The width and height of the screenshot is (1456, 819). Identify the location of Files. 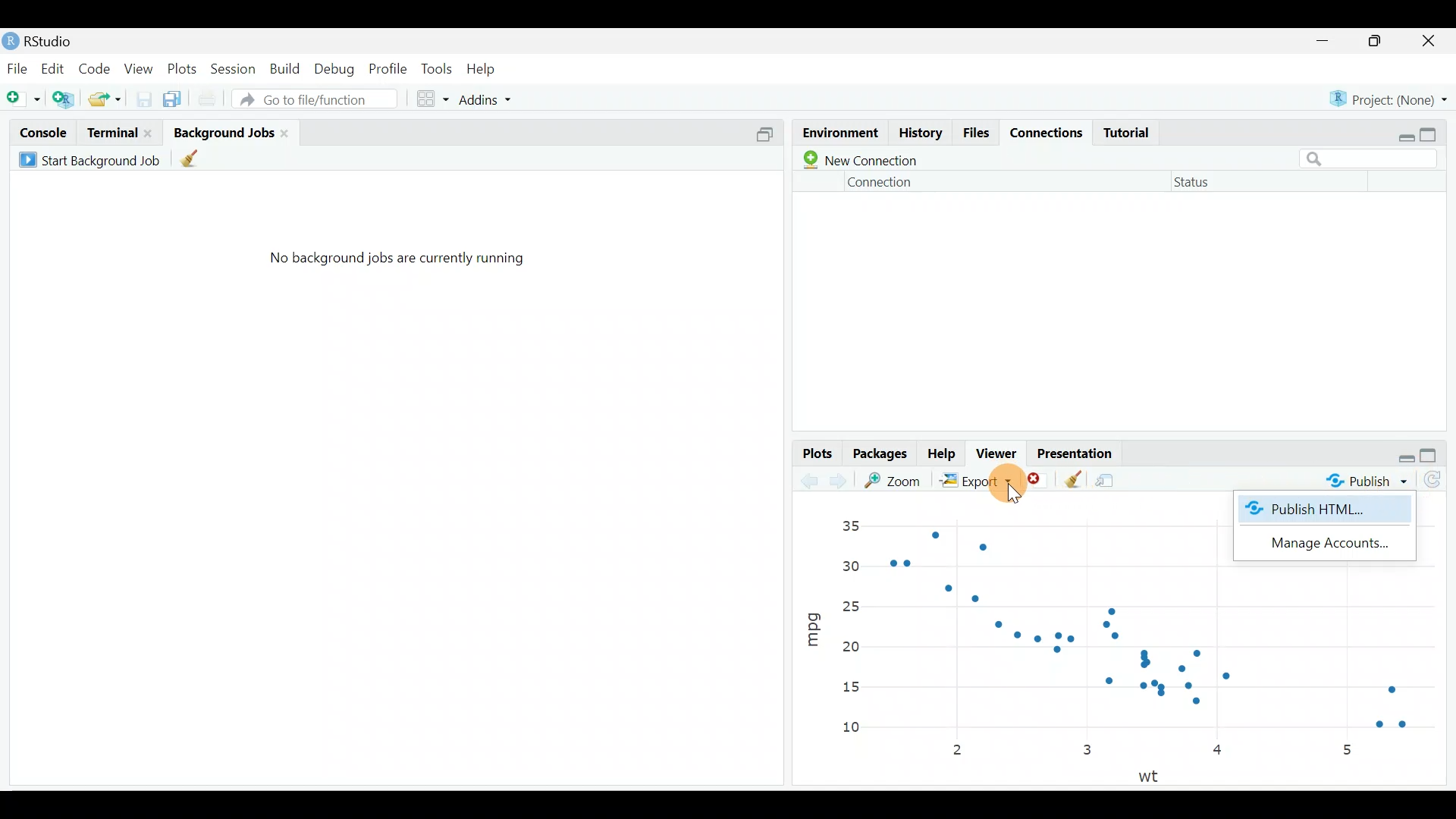
(977, 133).